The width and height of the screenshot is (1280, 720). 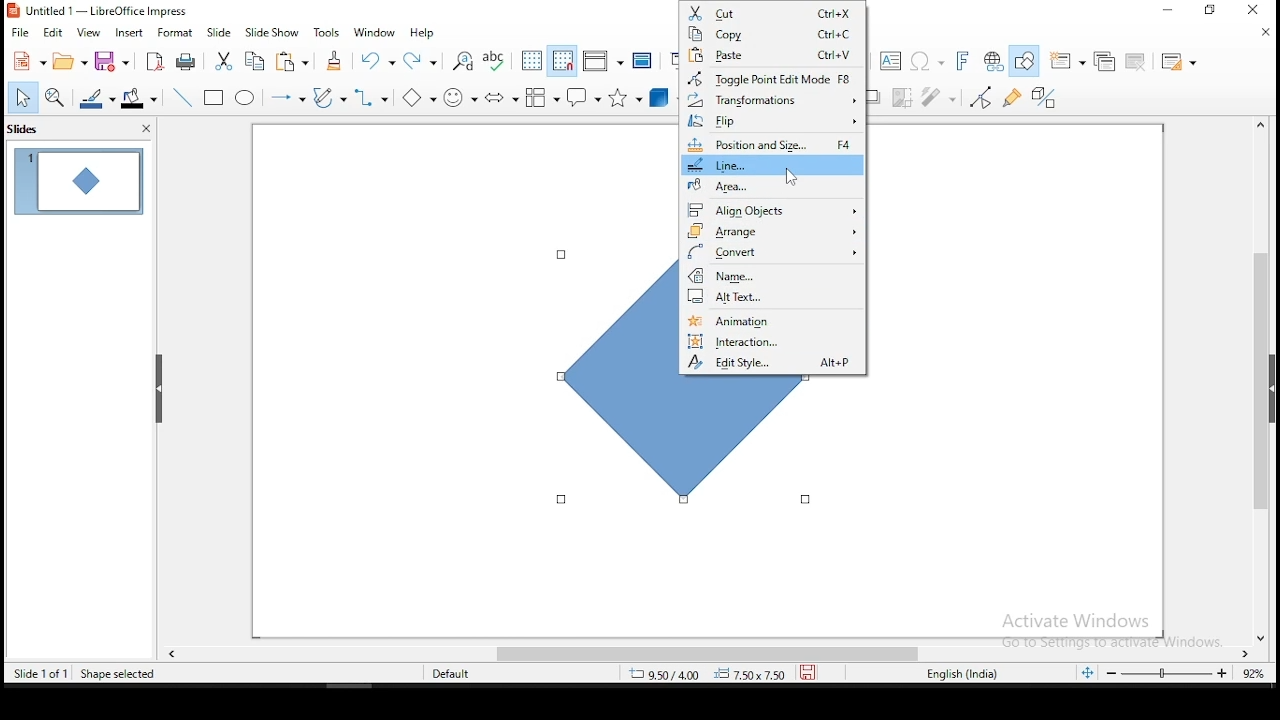 I want to click on convert, so click(x=772, y=252).